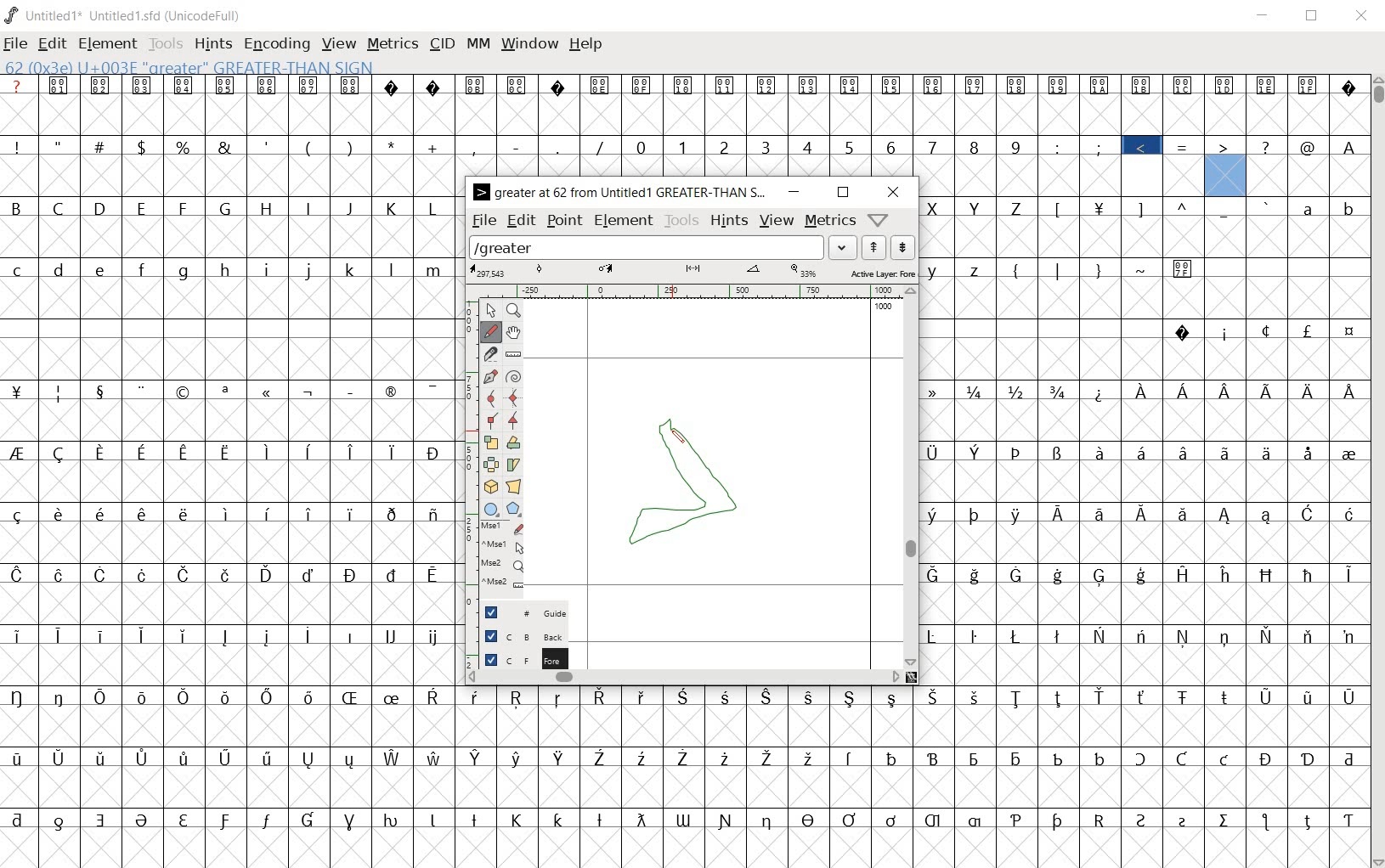  I want to click on view, so click(340, 45).